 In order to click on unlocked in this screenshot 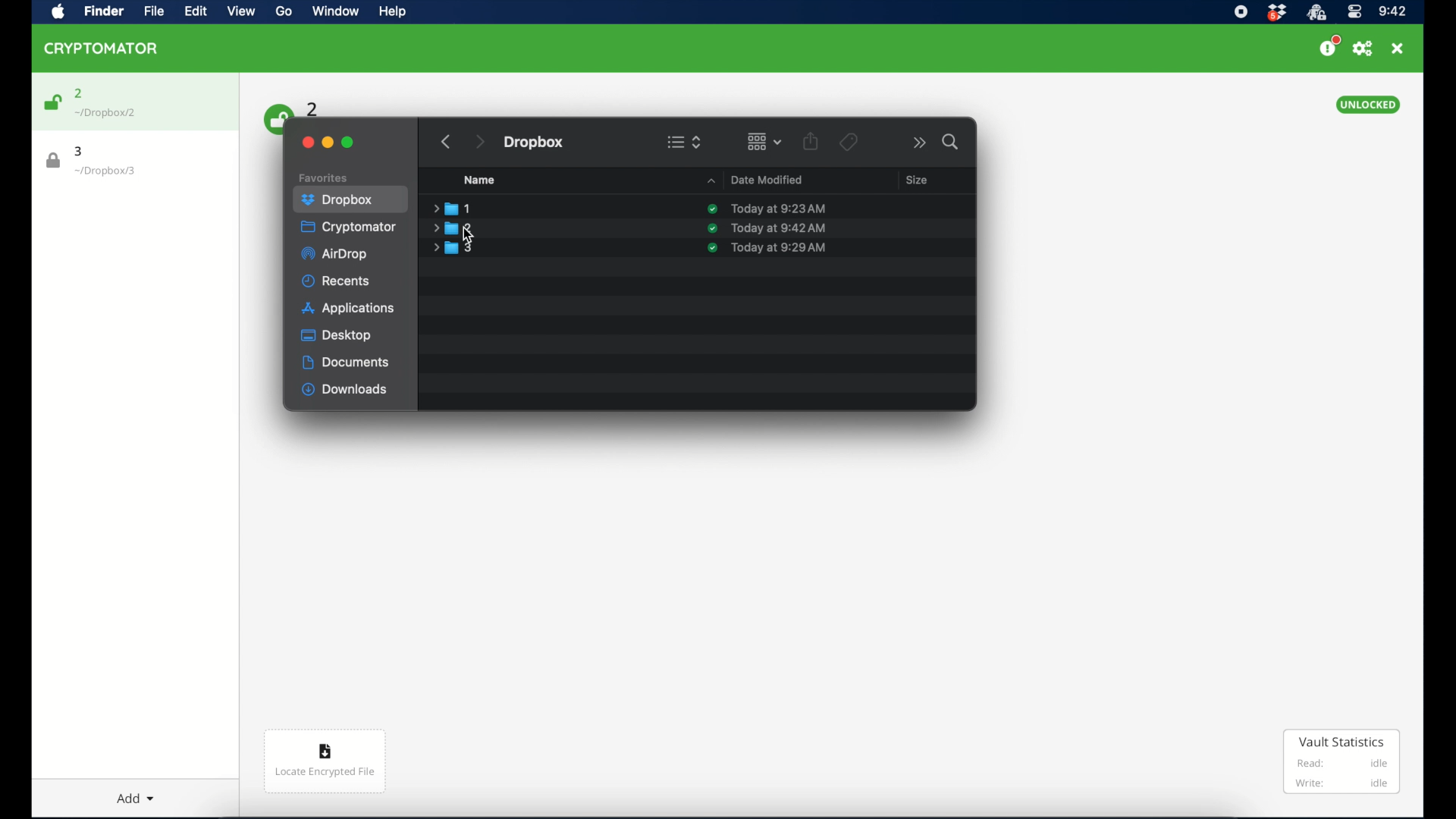, I will do `click(1367, 105)`.